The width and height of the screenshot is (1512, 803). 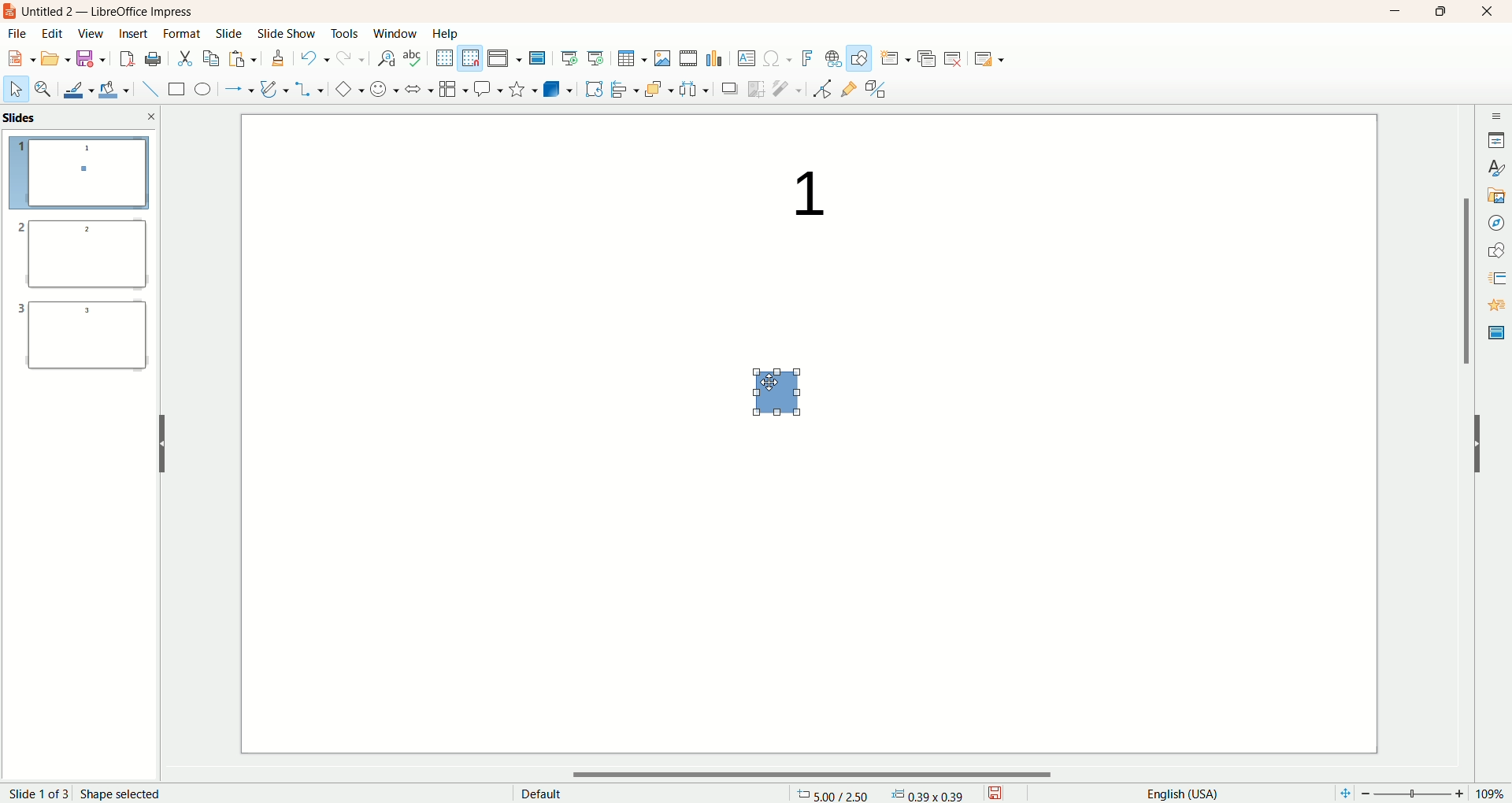 What do you see at coordinates (16, 92) in the screenshot?
I see `select` at bounding box center [16, 92].